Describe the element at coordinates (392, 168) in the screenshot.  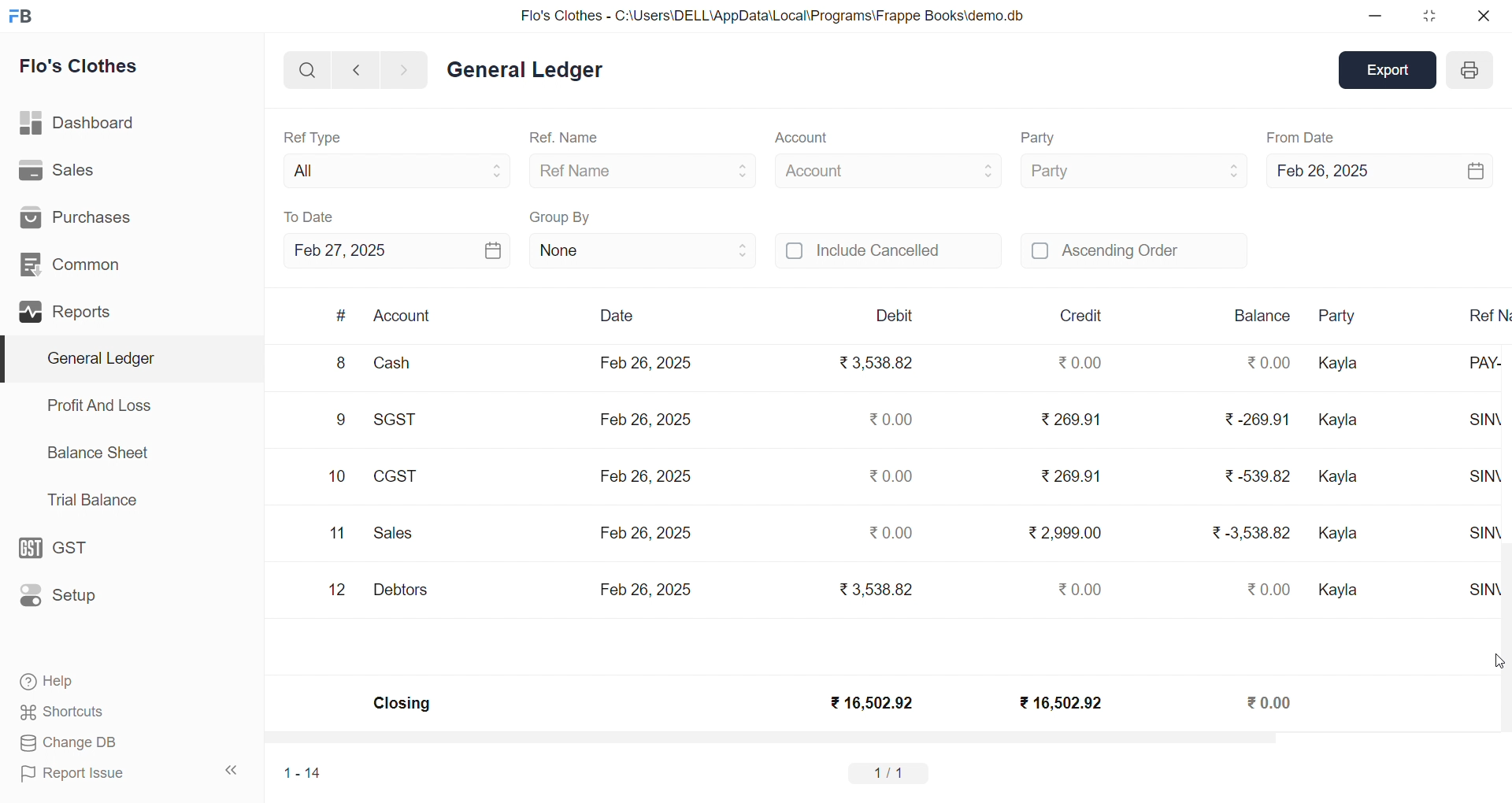
I see `All` at that location.